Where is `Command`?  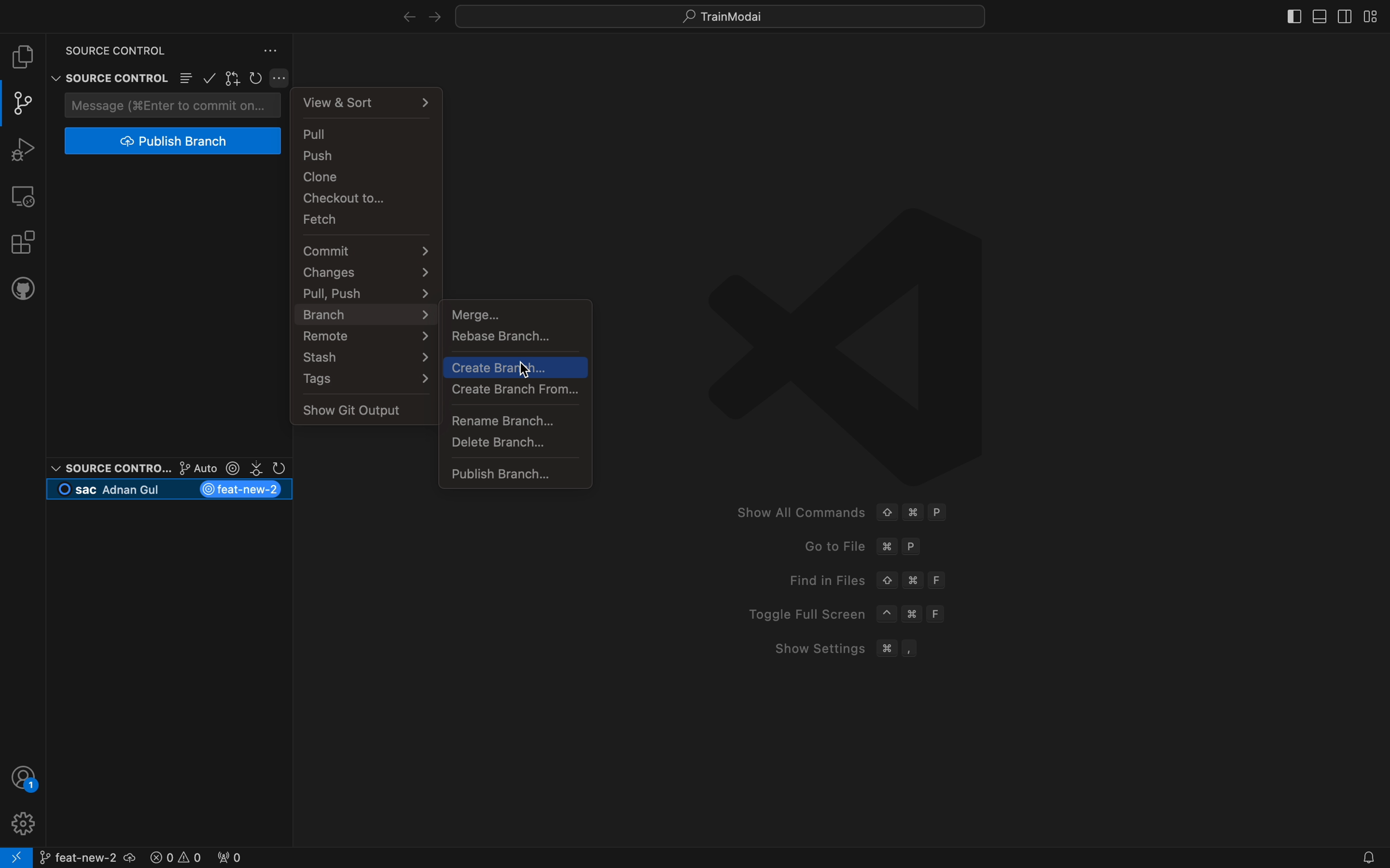
Command is located at coordinates (913, 580).